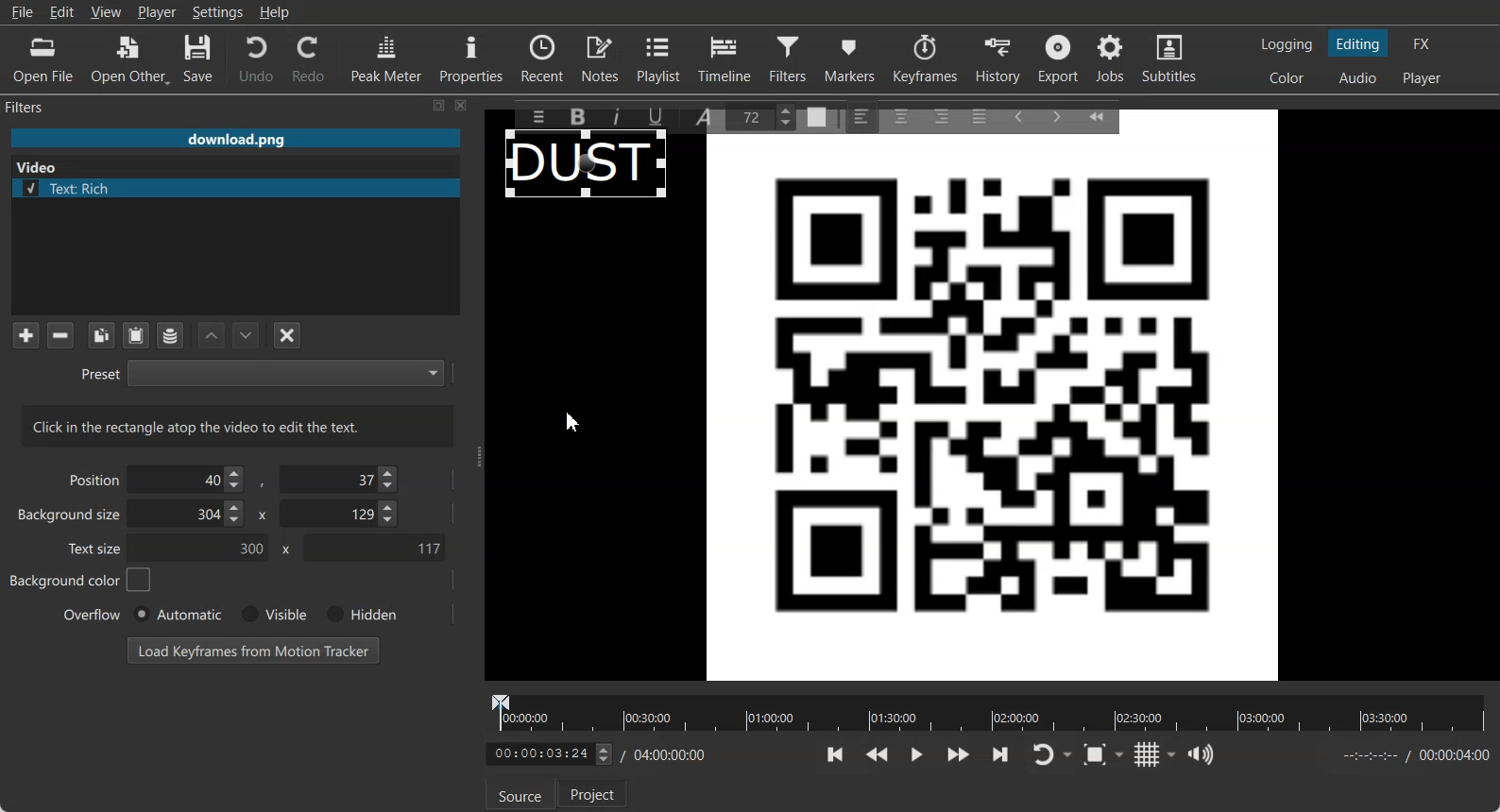  Describe the element at coordinates (253, 650) in the screenshot. I see `Load Keyframe from Motion Tracker` at that location.